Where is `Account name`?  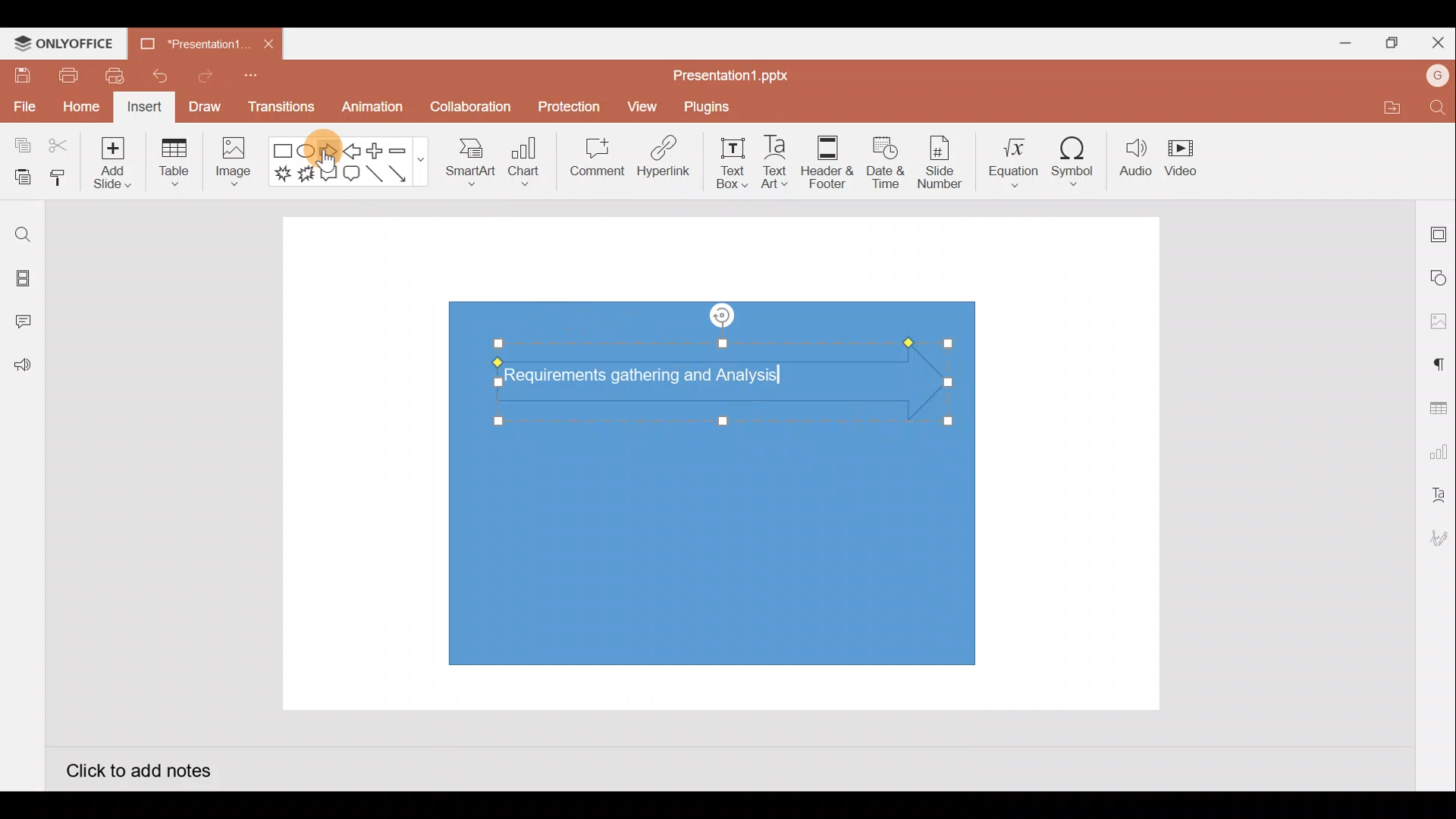 Account name is located at coordinates (1438, 76).